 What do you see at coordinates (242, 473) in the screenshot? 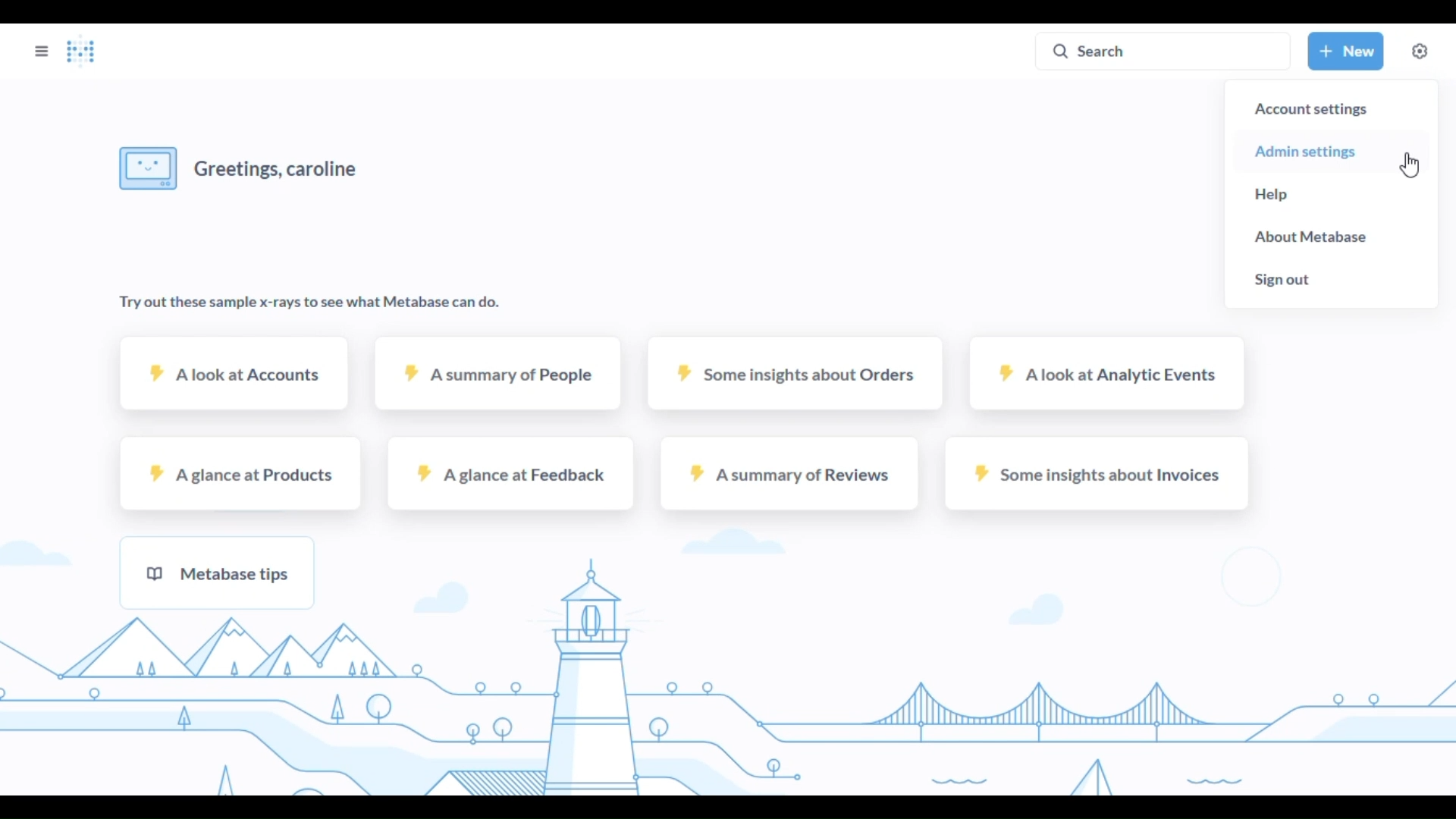
I see `a glance at products` at bounding box center [242, 473].